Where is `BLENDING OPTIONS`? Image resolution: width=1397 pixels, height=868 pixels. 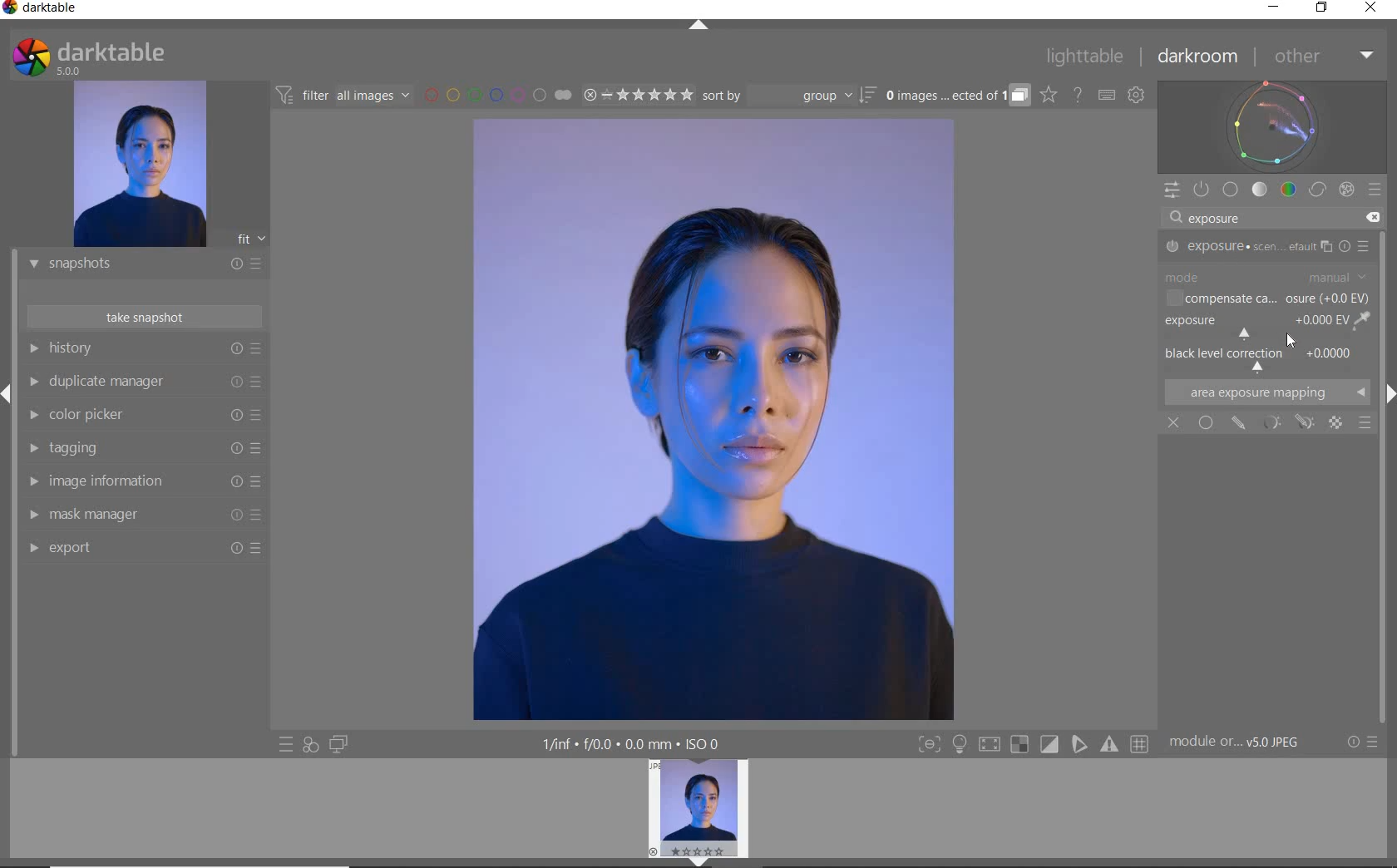 BLENDING OPTIONS is located at coordinates (1365, 423).